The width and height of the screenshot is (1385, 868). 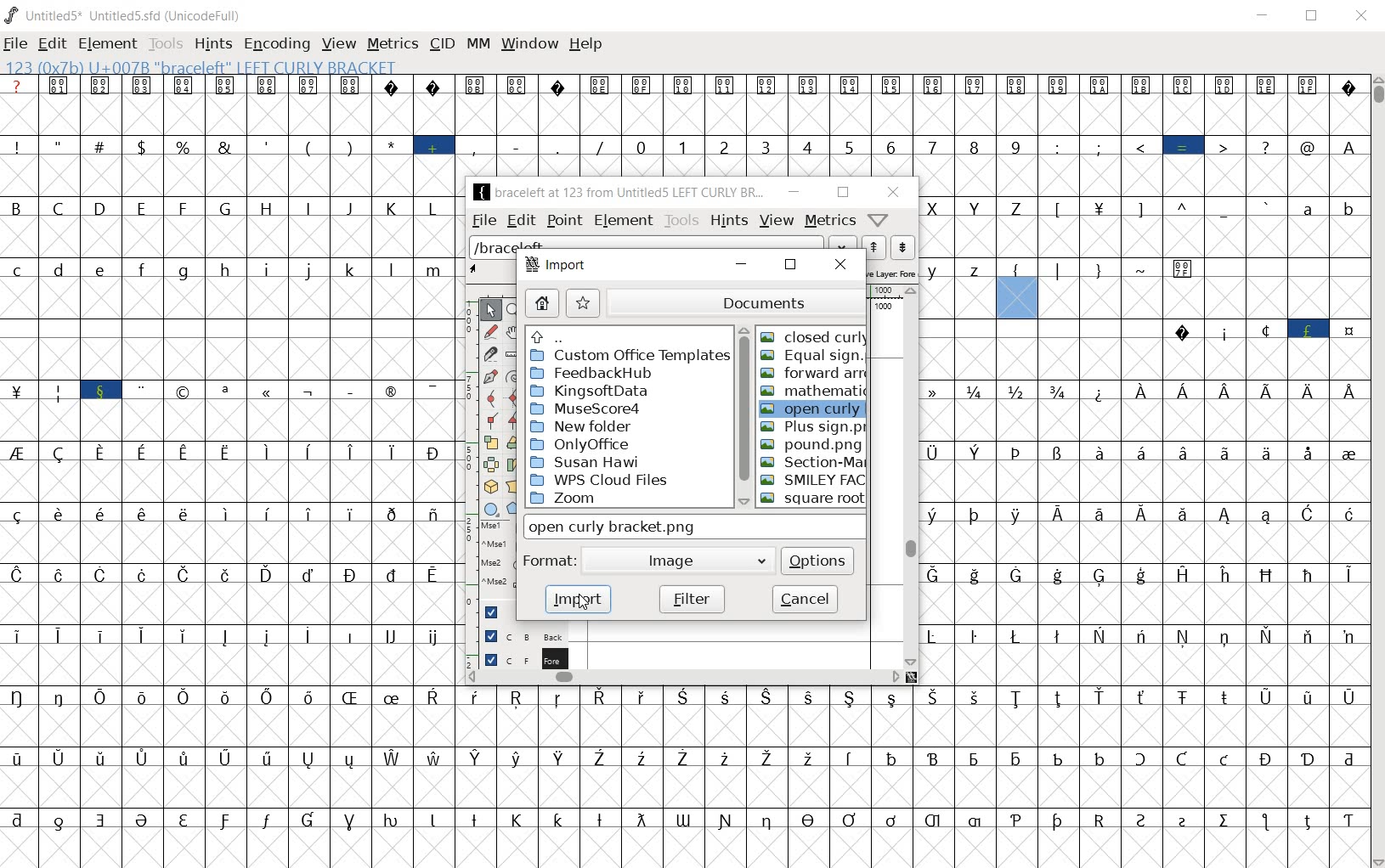 What do you see at coordinates (626, 499) in the screenshot?
I see `Zoom` at bounding box center [626, 499].